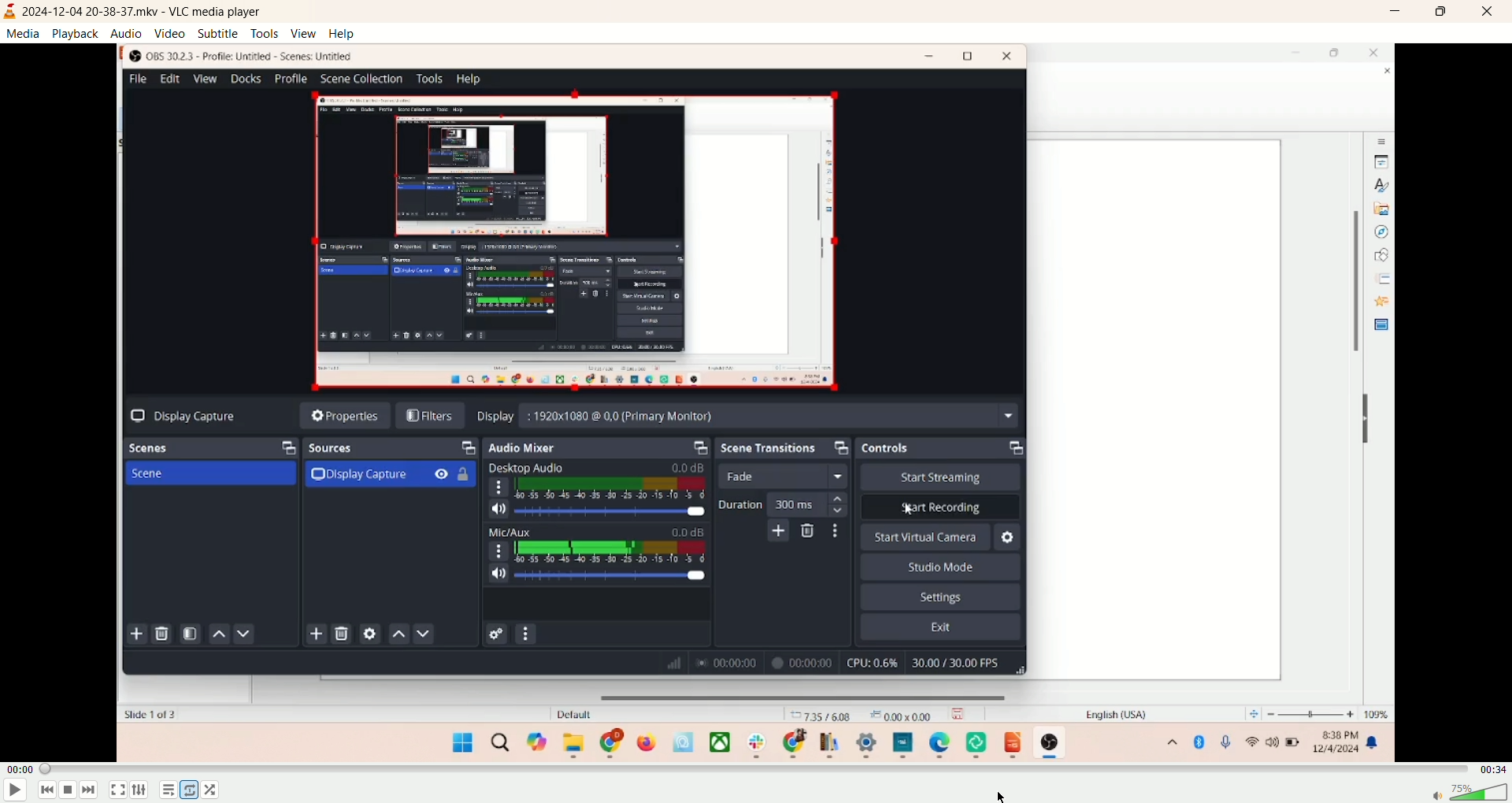 This screenshot has height=803, width=1512. What do you see at coordinates (125, 33) in the screenshot?
I see `audio` at bounding box center [125, 33].